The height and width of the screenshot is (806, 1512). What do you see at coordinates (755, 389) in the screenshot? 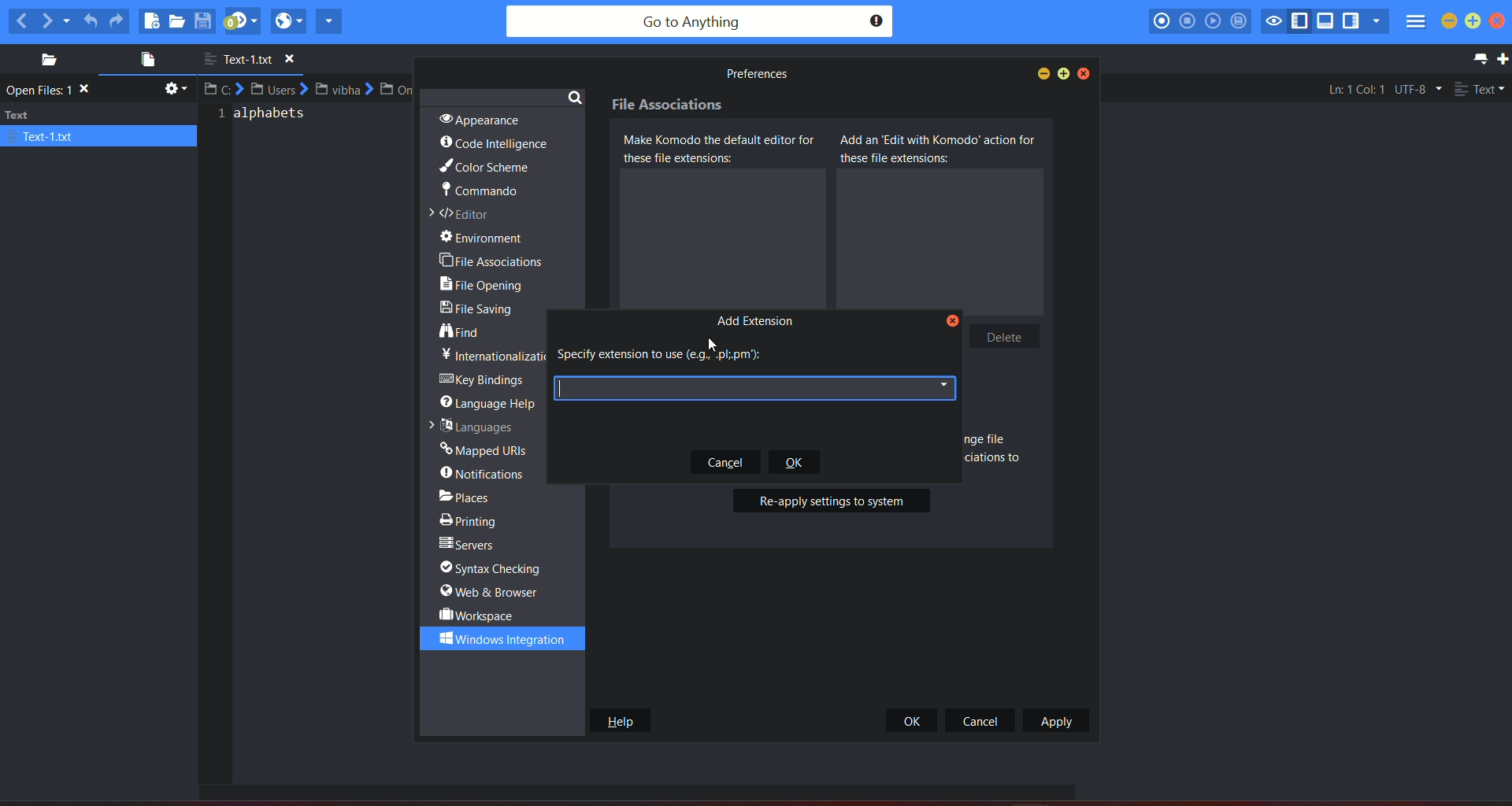
I see `text box` at bounding box center [755, 389].